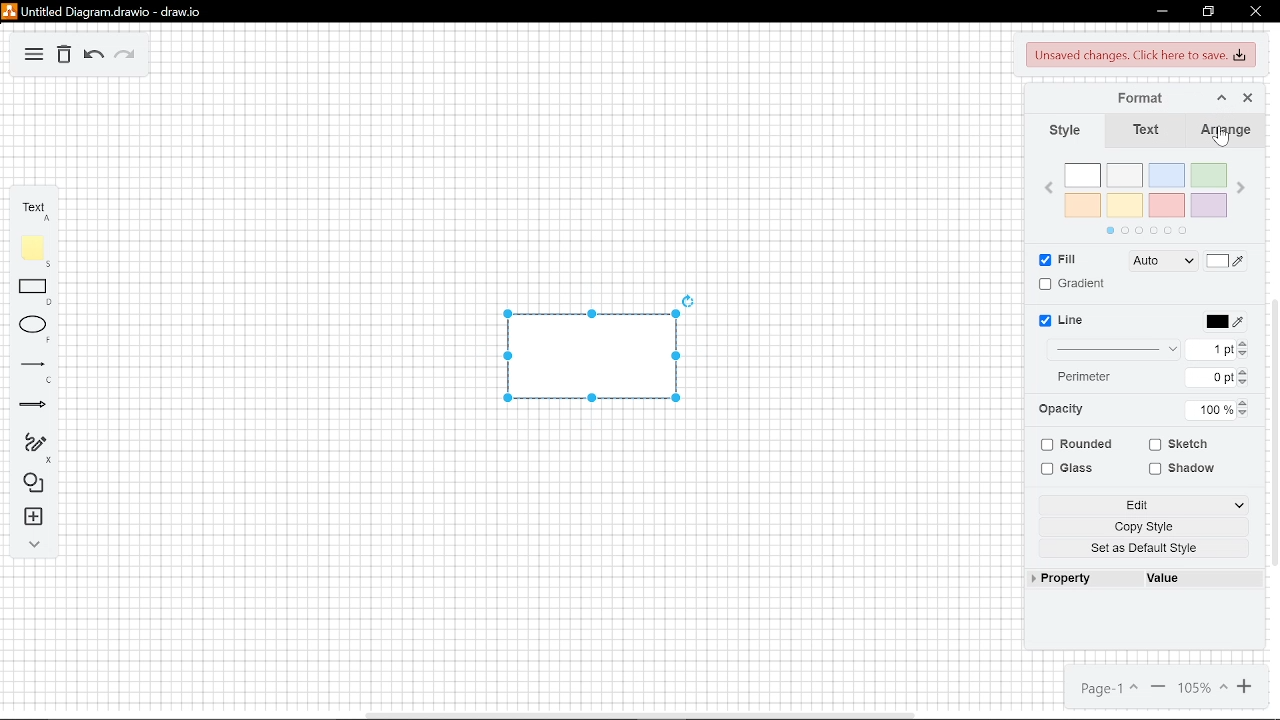 The height and width of the screenshot is (720, 1280). What do you see at coordinates (126, 57) in the screenshot?
I see `redo` at bounding box center [126, 57].